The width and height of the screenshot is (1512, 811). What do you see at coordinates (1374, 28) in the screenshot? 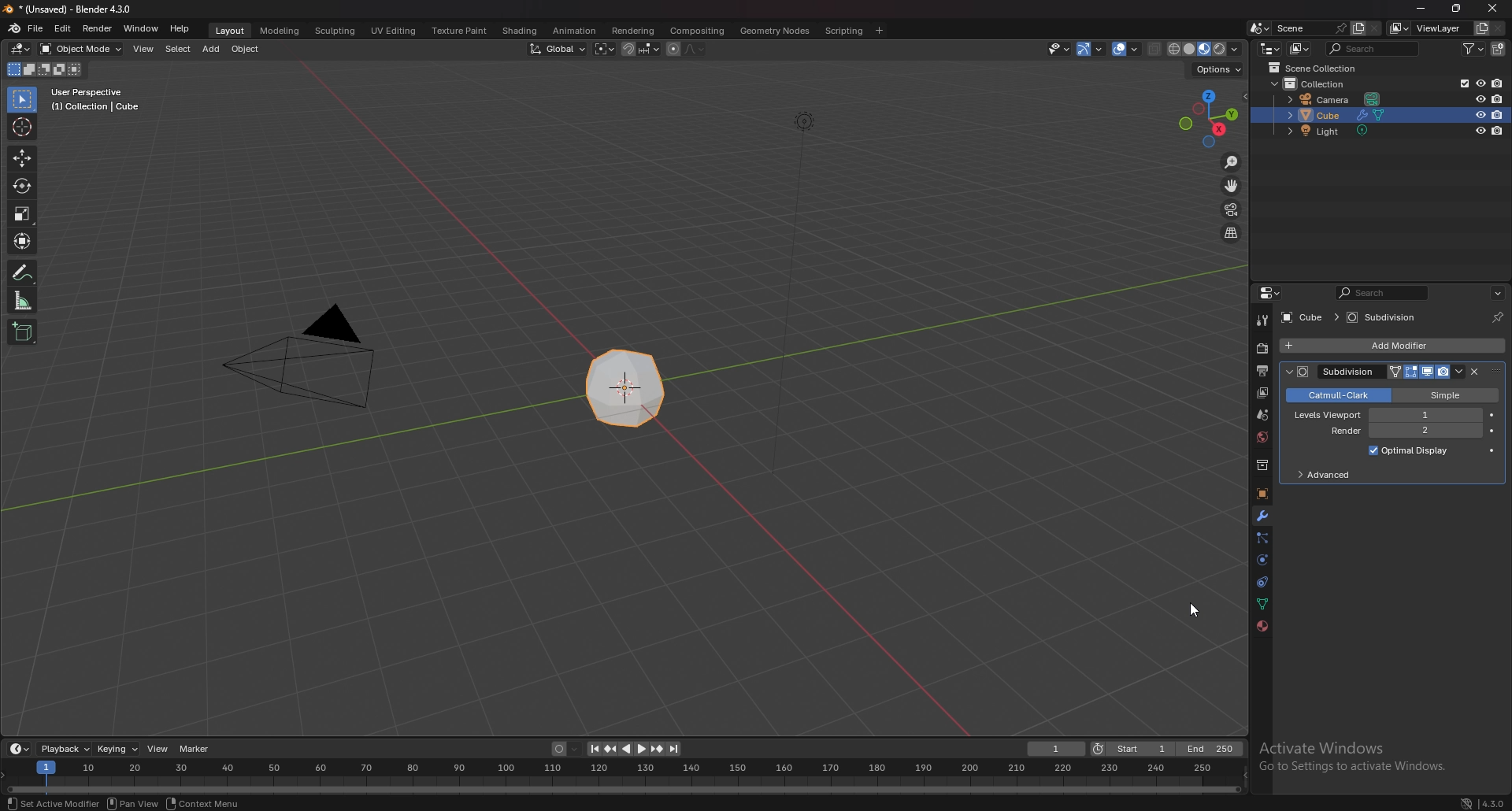
I see `delete scene` at bounding box center [1374, 28].